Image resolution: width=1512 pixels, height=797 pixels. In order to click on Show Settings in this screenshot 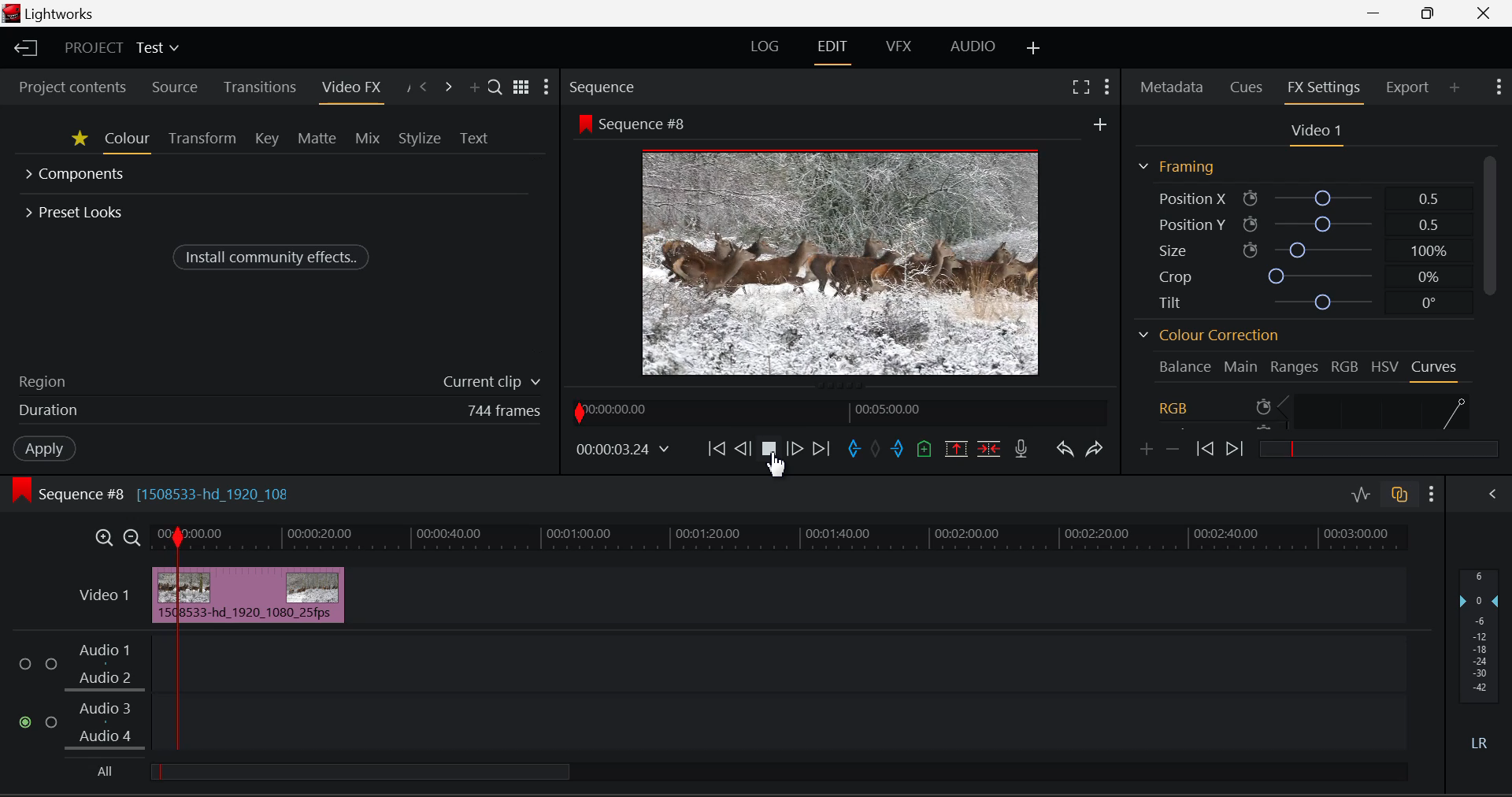, I will do `click(1498, 89)`.